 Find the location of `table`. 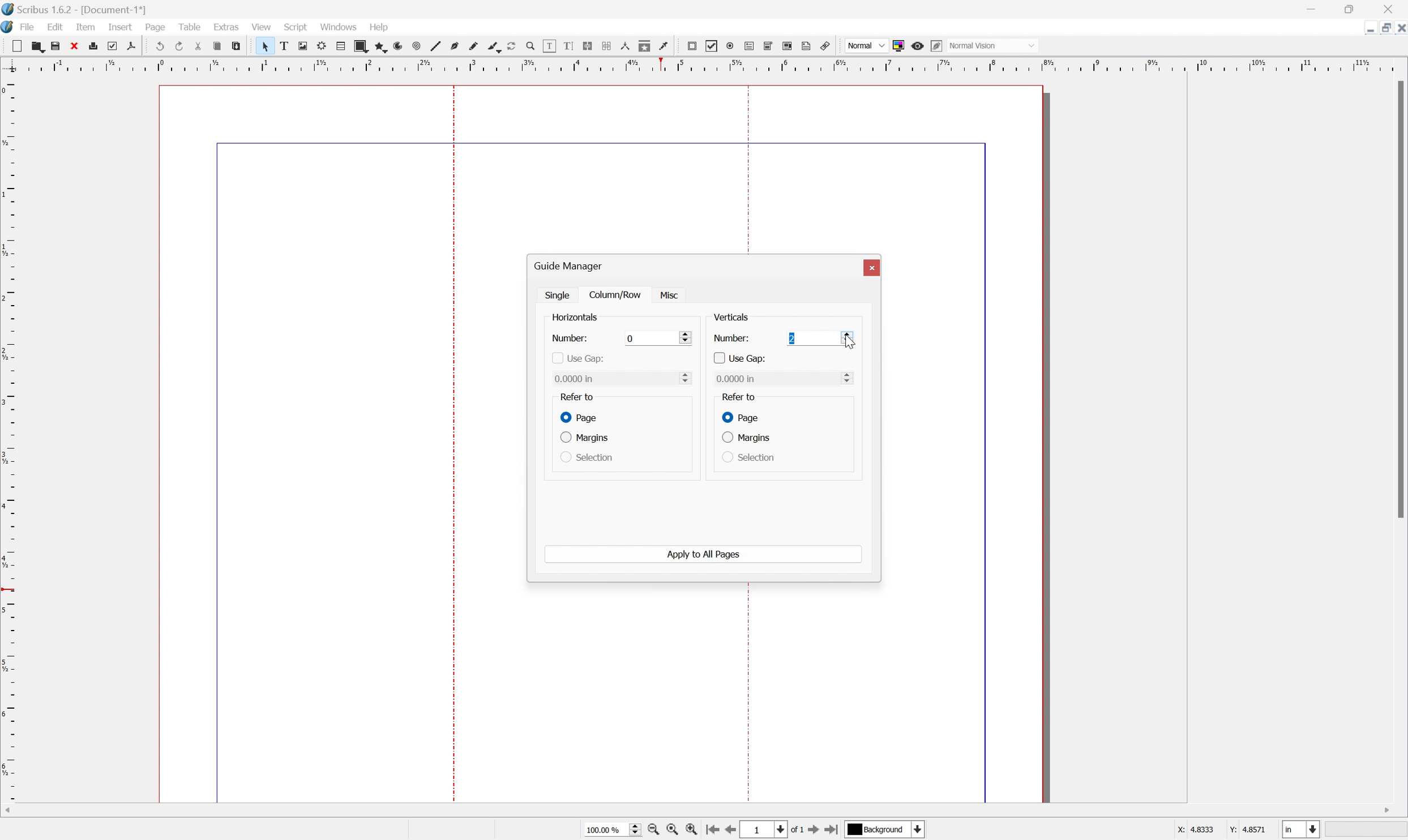

table is located at coordinates (341, 47).